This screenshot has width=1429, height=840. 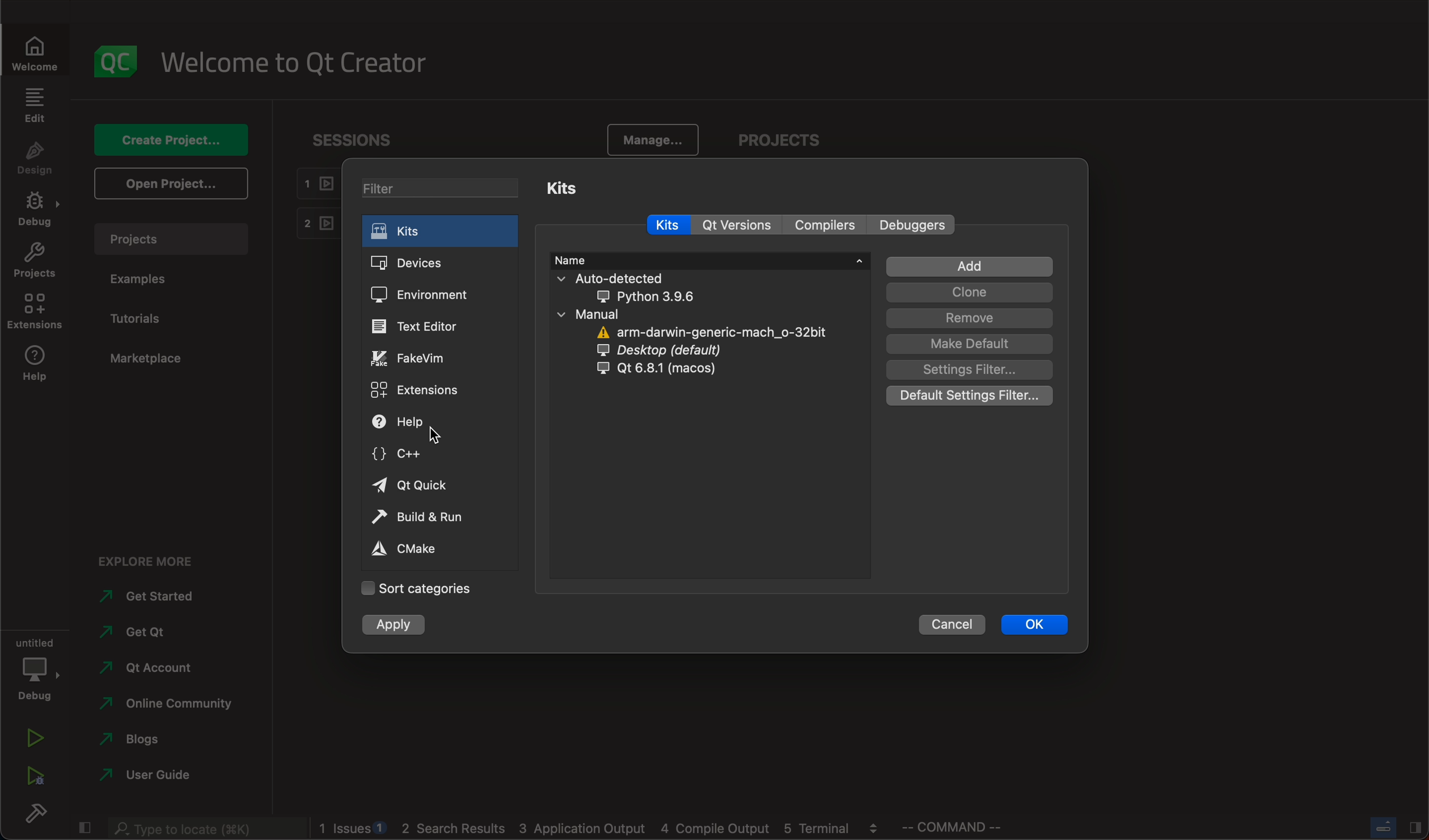 What do you see at coordinates (436, 436) in the screenshot?
I see `cursor` at bounding box center [436, 436].